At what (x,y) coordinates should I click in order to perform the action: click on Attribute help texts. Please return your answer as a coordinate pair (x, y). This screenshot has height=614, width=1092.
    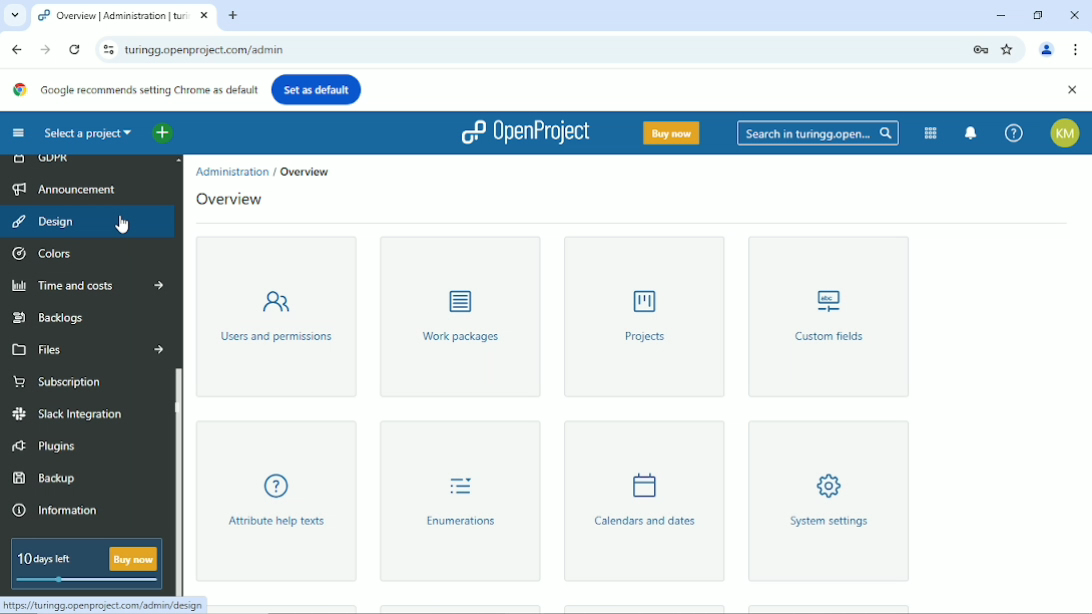
    Looking at the image, I should click on (281, 500).